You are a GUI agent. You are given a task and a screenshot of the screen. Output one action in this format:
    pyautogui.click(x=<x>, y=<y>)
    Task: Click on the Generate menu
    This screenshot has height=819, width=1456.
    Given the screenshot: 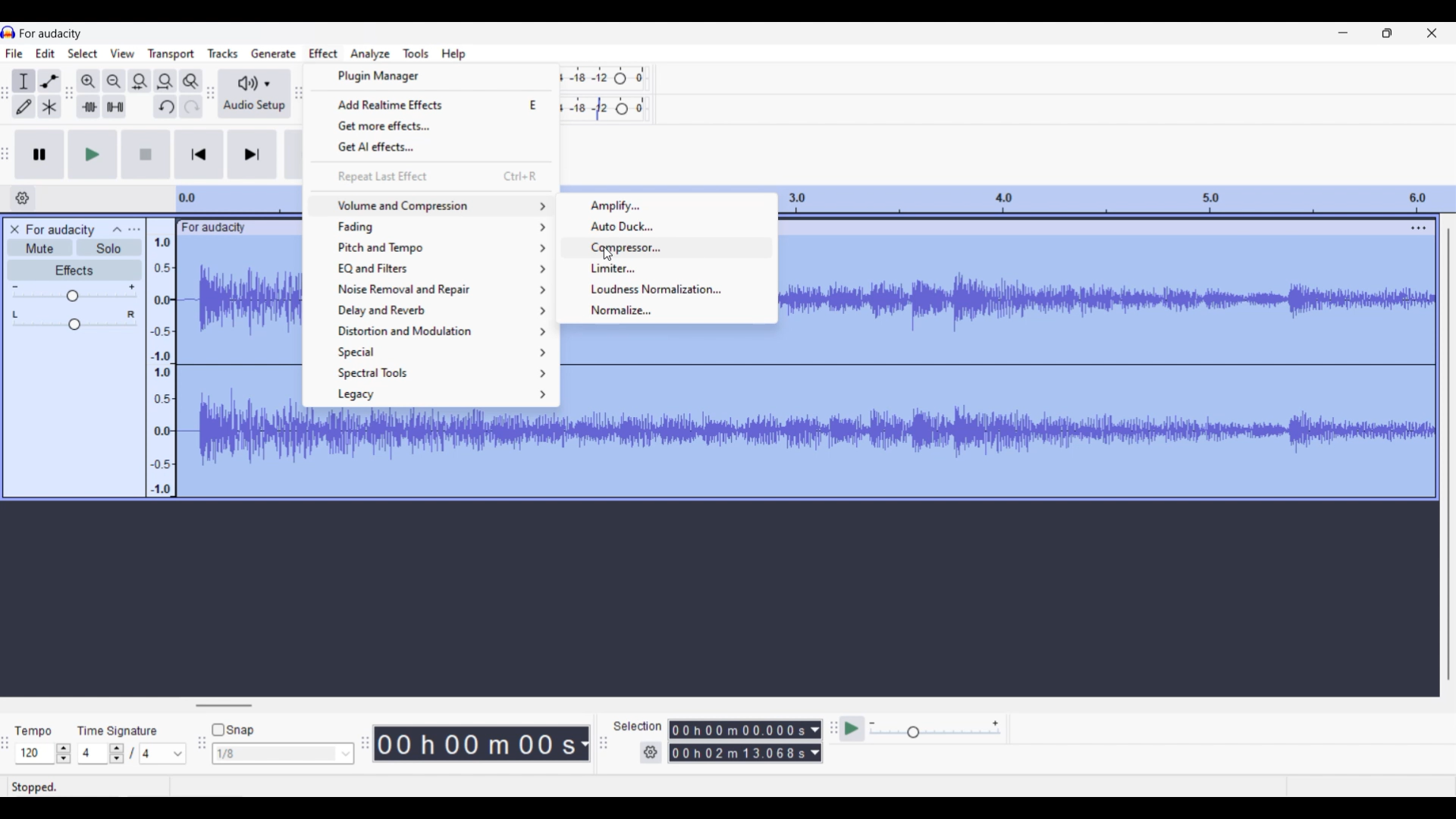 What is the action you would take?
    pyautogui.click(x=273, y=52)
    